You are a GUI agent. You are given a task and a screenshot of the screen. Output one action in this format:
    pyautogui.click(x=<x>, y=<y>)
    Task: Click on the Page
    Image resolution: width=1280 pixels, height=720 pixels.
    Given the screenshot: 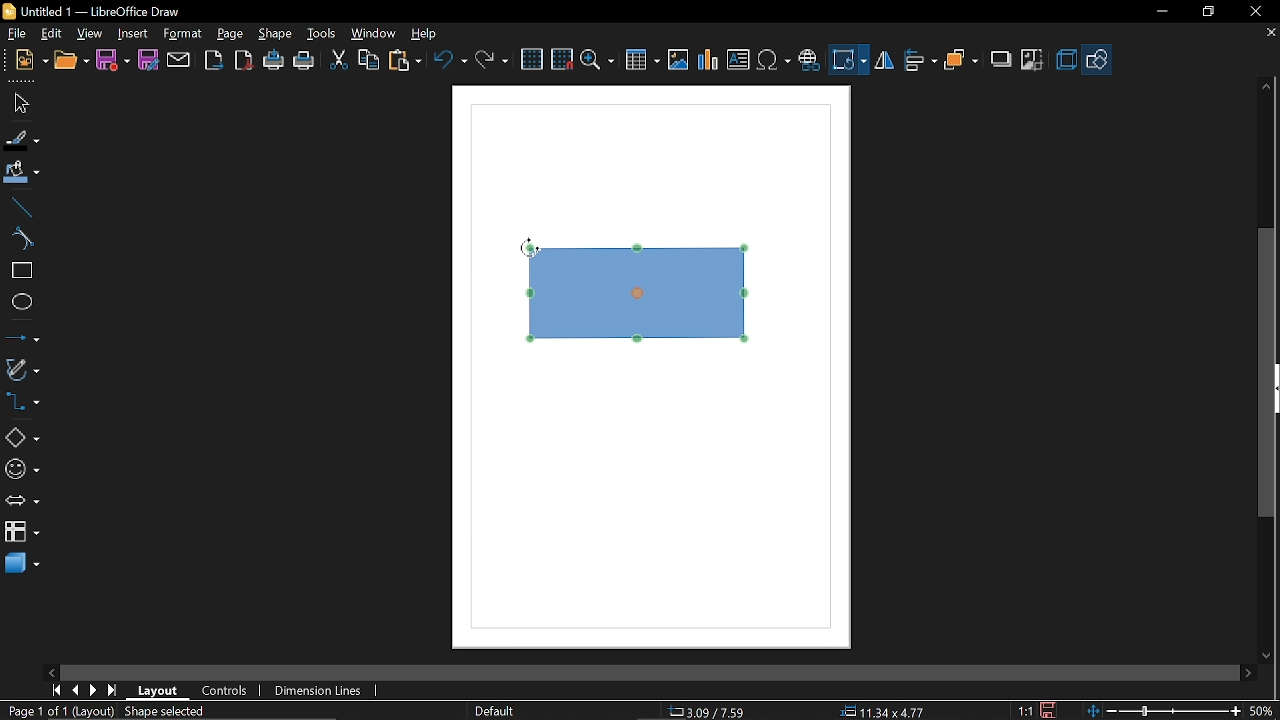 What is the action you would take?
    pyautogui.click(x=230, y=34)
    